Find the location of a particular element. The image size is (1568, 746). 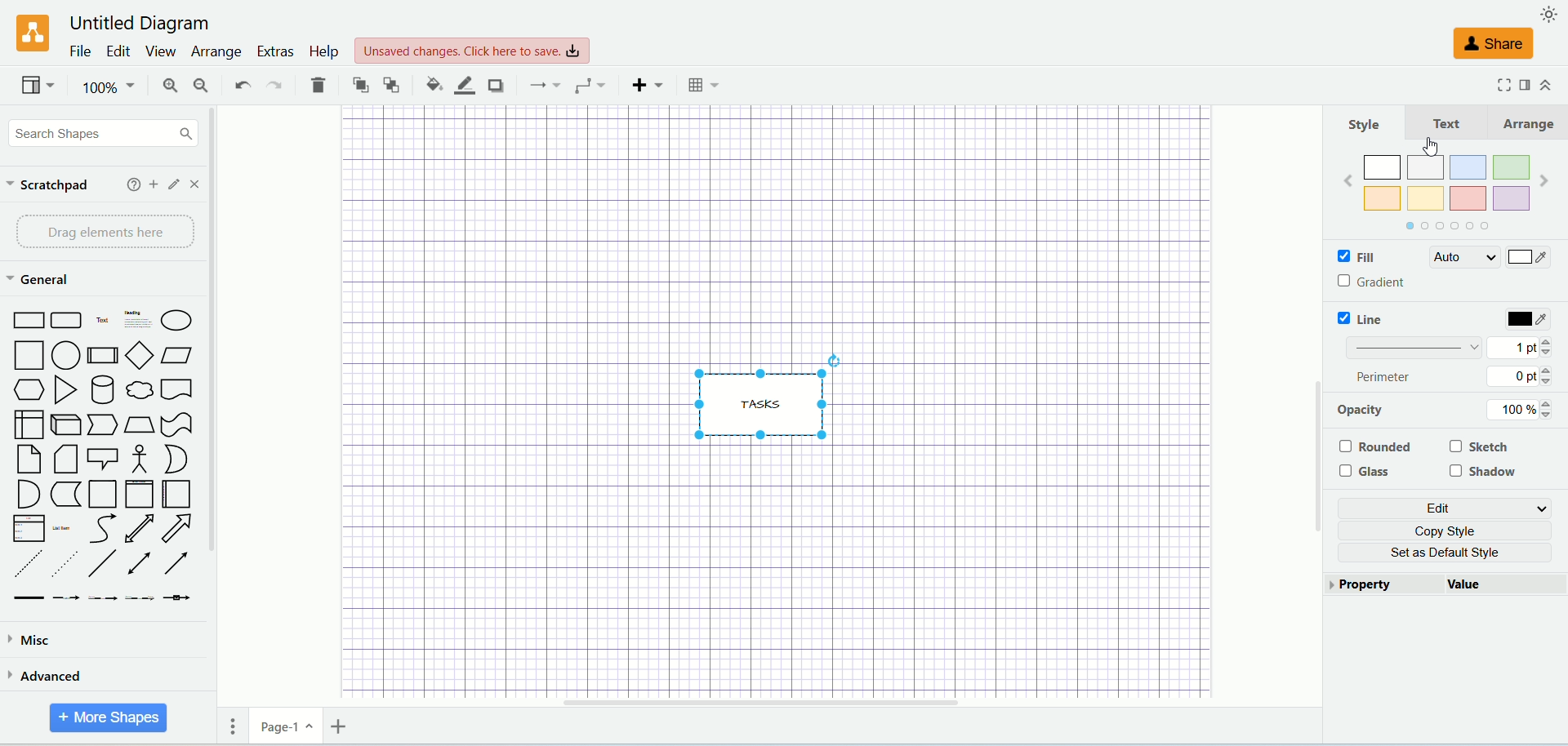

Bidirectional Arrow is located at coordinates (139, 528).